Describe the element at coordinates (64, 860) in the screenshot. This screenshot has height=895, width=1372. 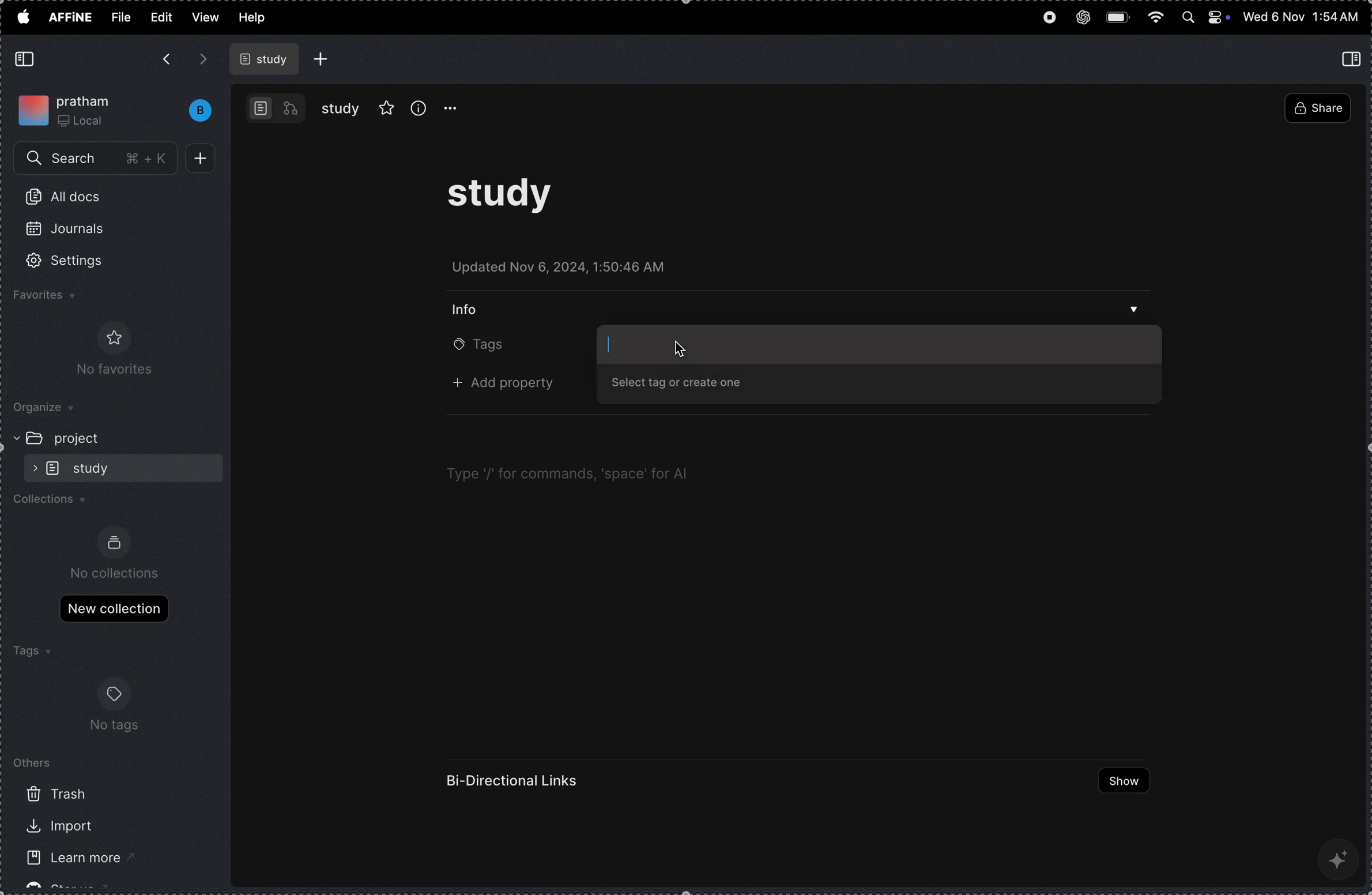
I see `learn` at that location.